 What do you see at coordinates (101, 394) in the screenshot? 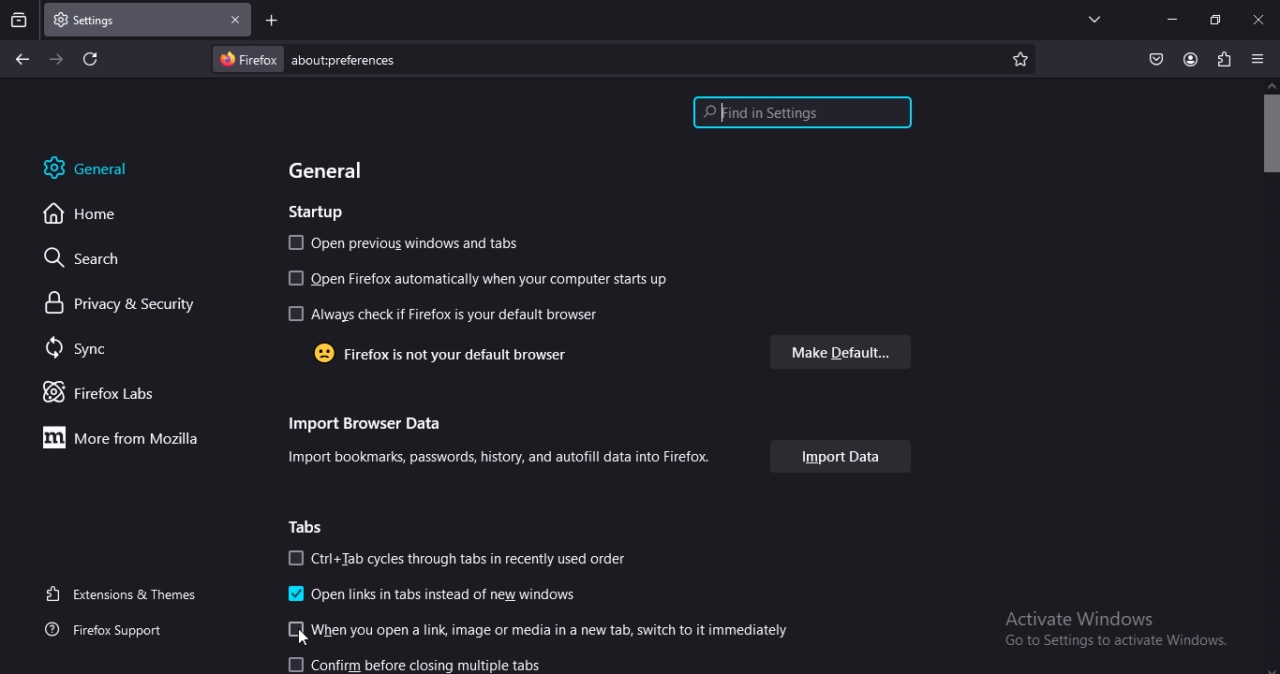
I see `firefox labs` at bounding box center [101, 394].